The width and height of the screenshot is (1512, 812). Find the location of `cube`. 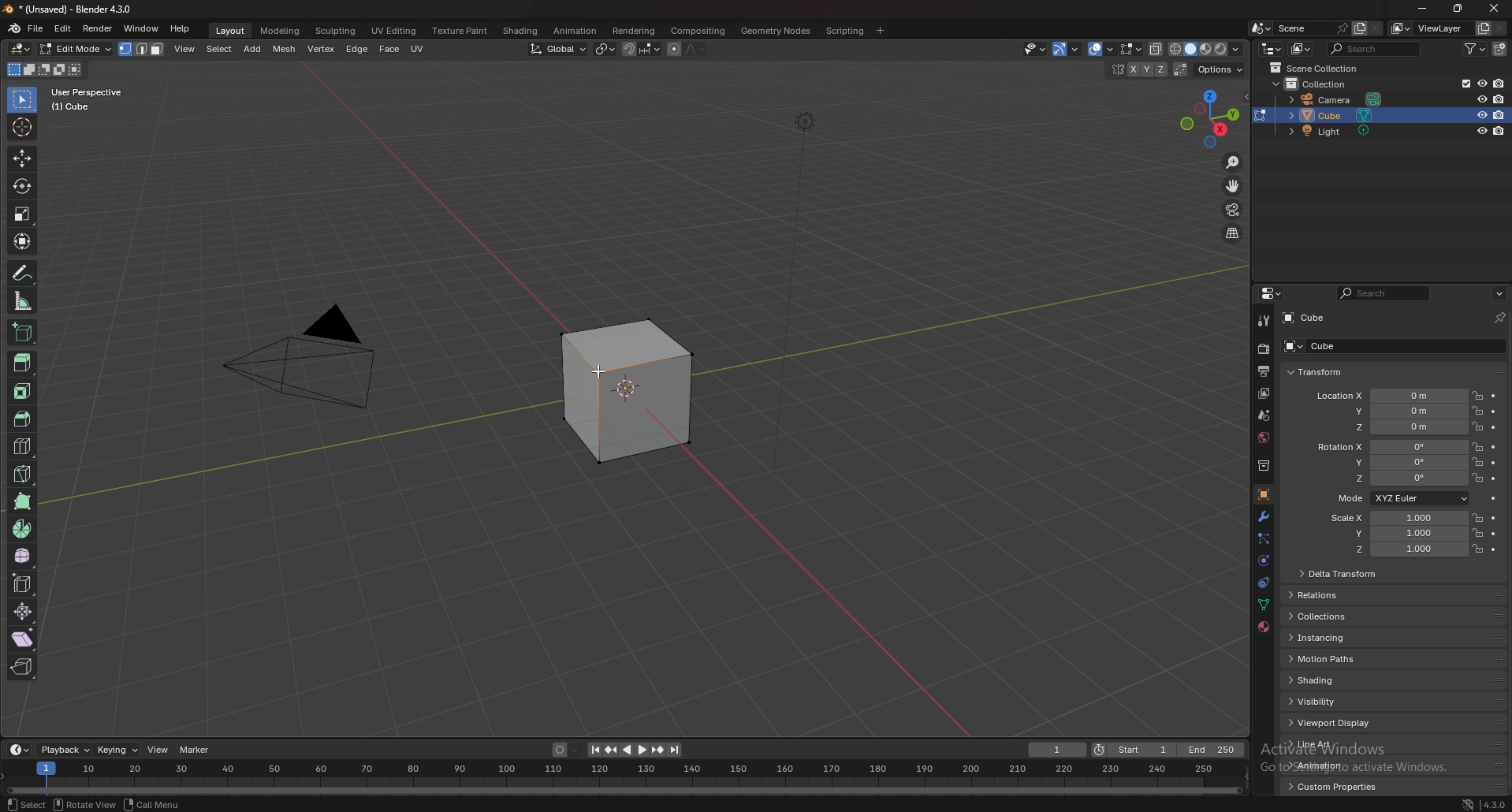

cube is located at coordinates (1337, 116).